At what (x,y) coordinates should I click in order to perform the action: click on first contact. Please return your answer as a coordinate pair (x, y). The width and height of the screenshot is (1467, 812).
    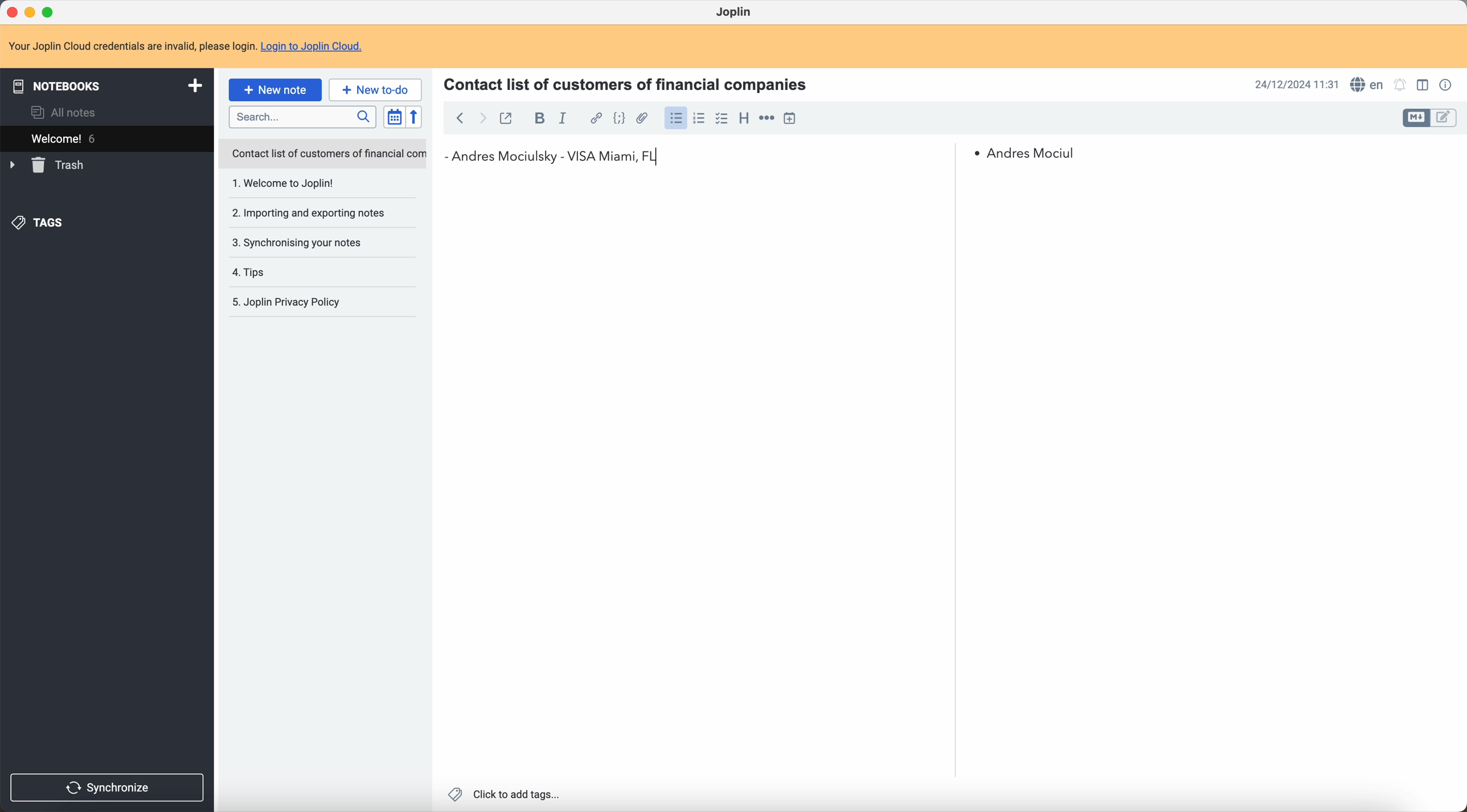
    Looking at the image, I should click on (559, 159).